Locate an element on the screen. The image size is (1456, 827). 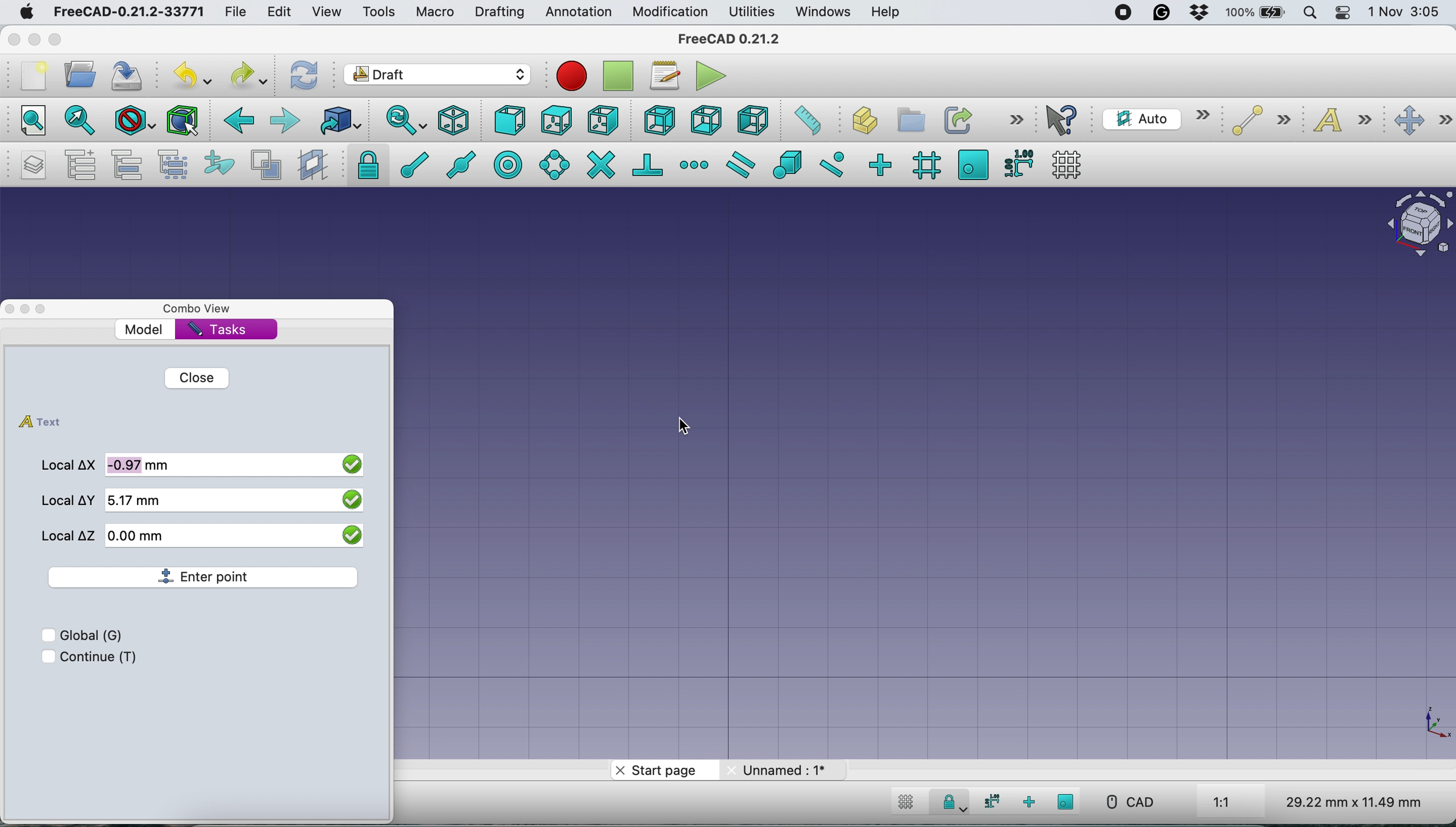
workbench is located at coordinates (436, 74).